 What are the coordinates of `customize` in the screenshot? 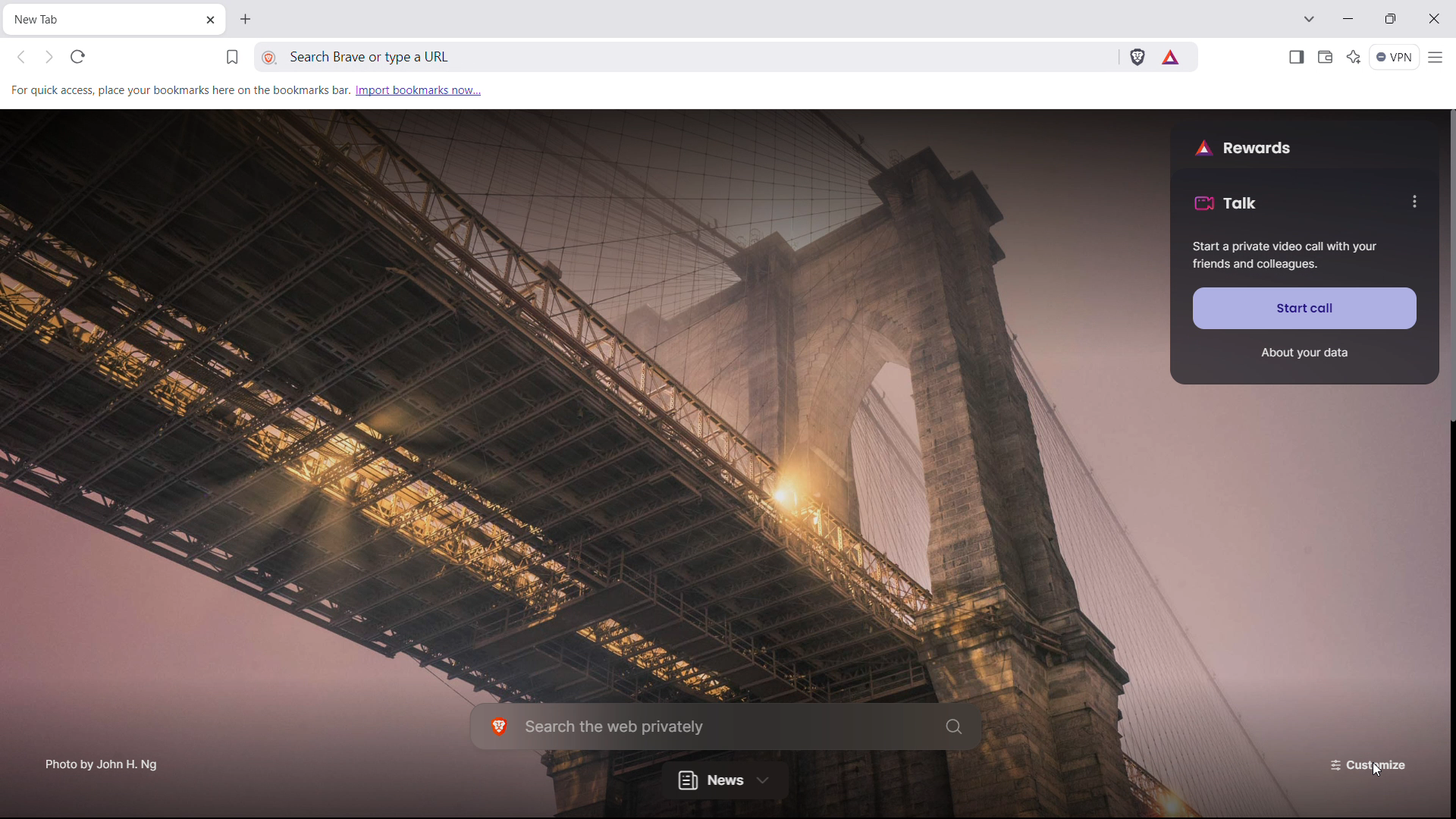 It's located at (1371, 764).